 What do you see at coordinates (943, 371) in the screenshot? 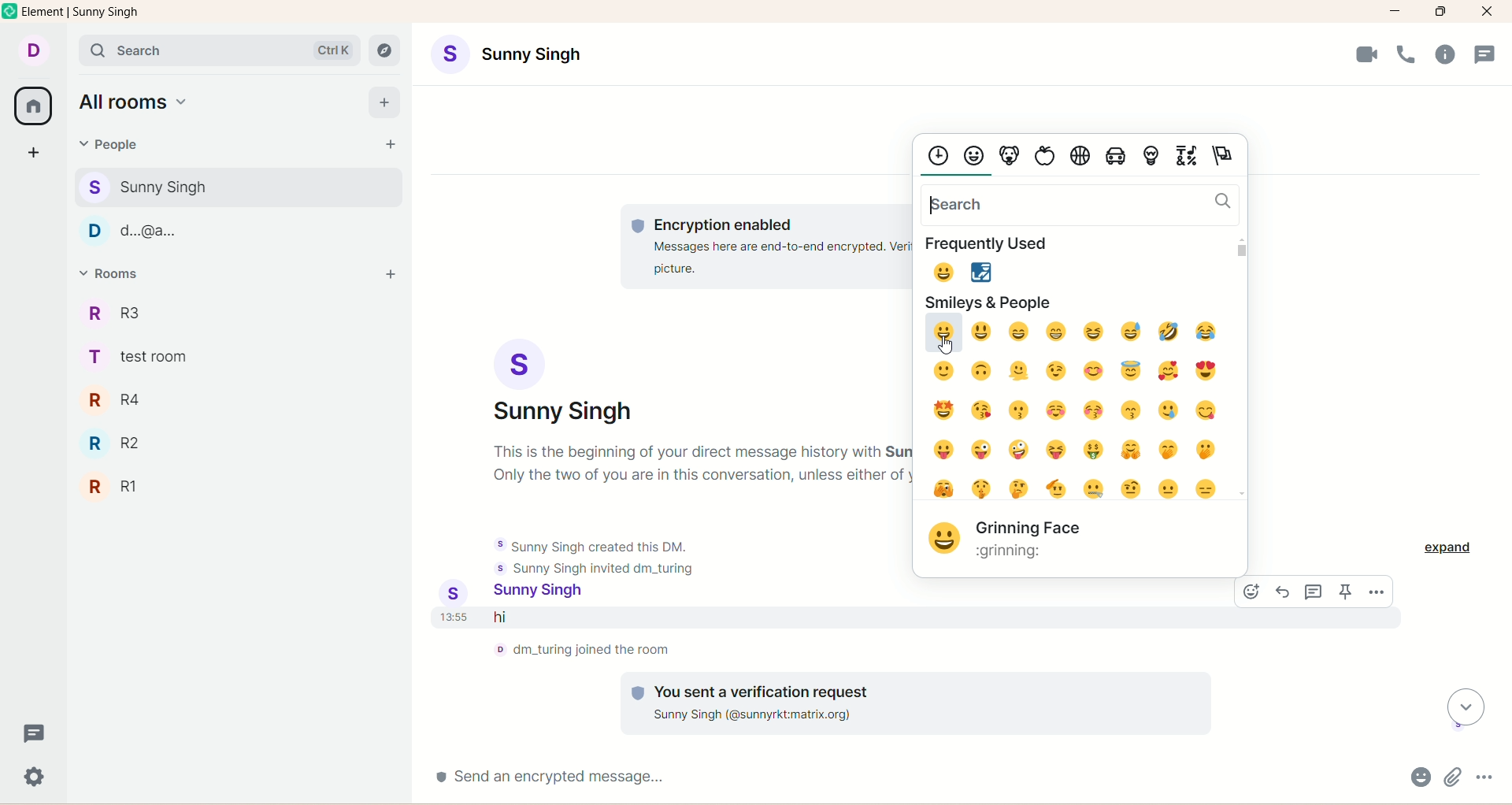
I see `Slightly smiling face` at bounding box center [943, 371].